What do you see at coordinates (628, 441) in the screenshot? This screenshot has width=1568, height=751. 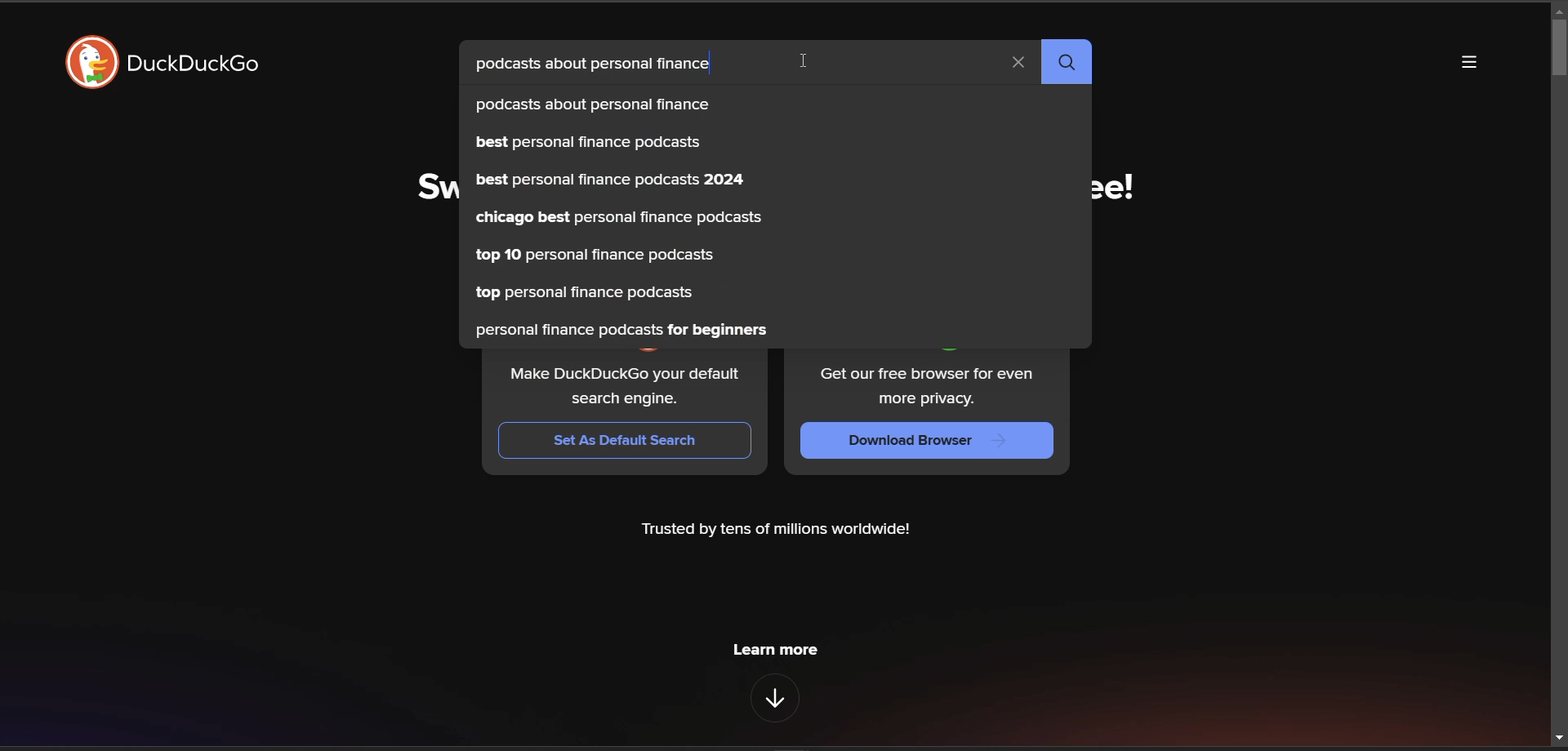 I see `Set As Default Search` at bounding box center [628, 441].